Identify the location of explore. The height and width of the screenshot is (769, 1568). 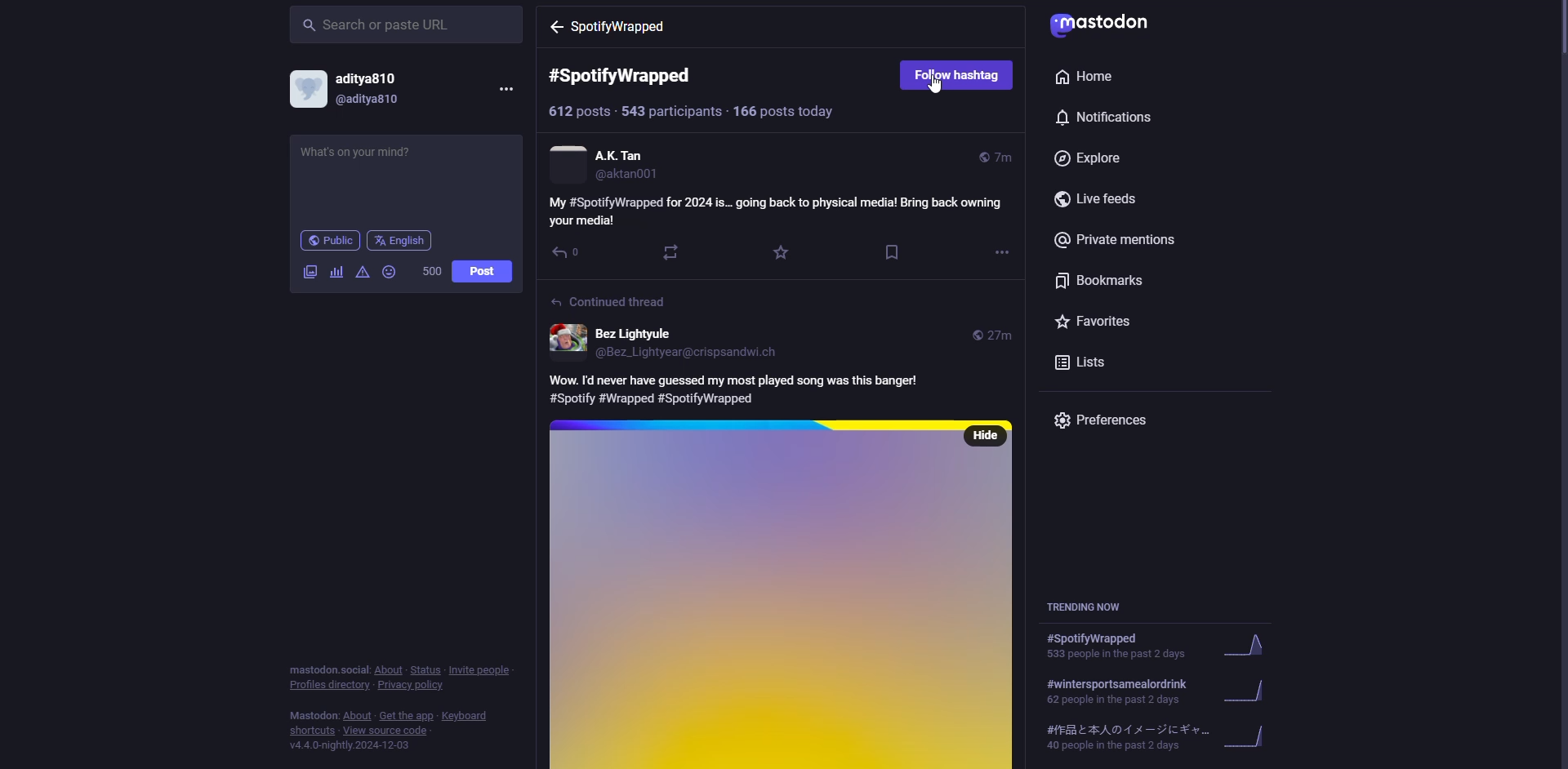
(1094, 159).